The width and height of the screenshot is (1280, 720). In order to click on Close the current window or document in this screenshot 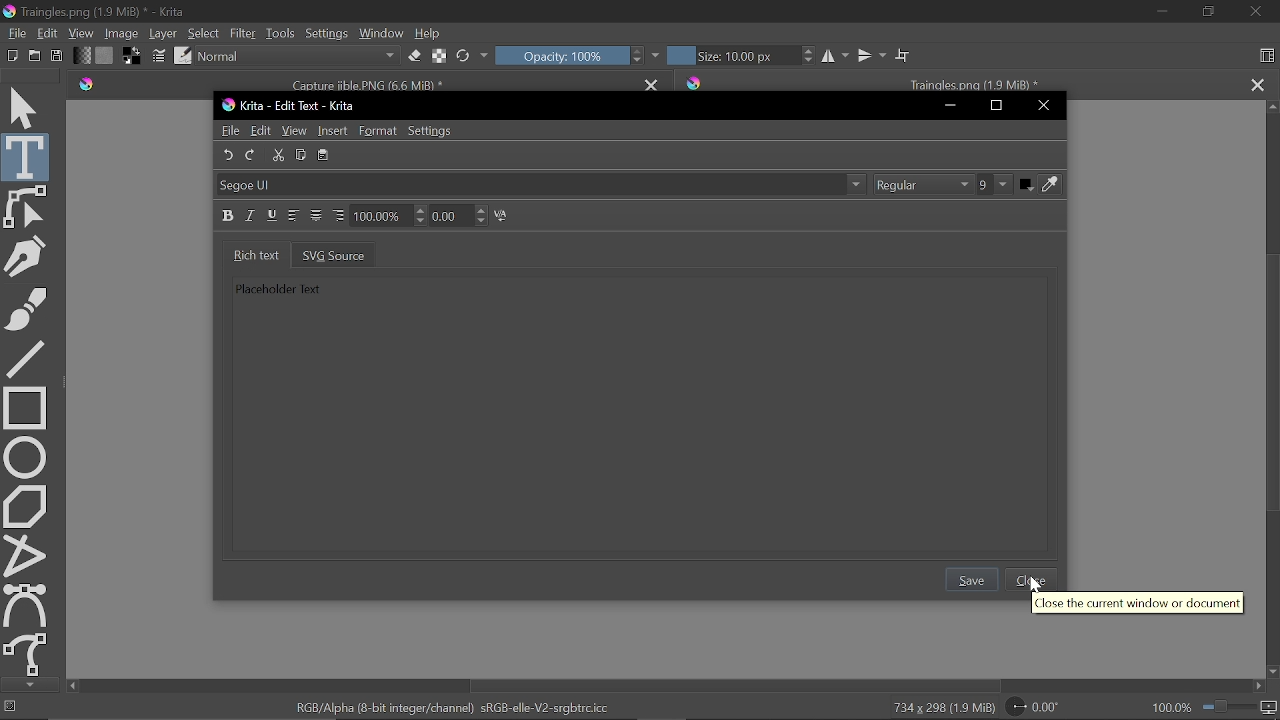, I will do `click(1138, 604)`.